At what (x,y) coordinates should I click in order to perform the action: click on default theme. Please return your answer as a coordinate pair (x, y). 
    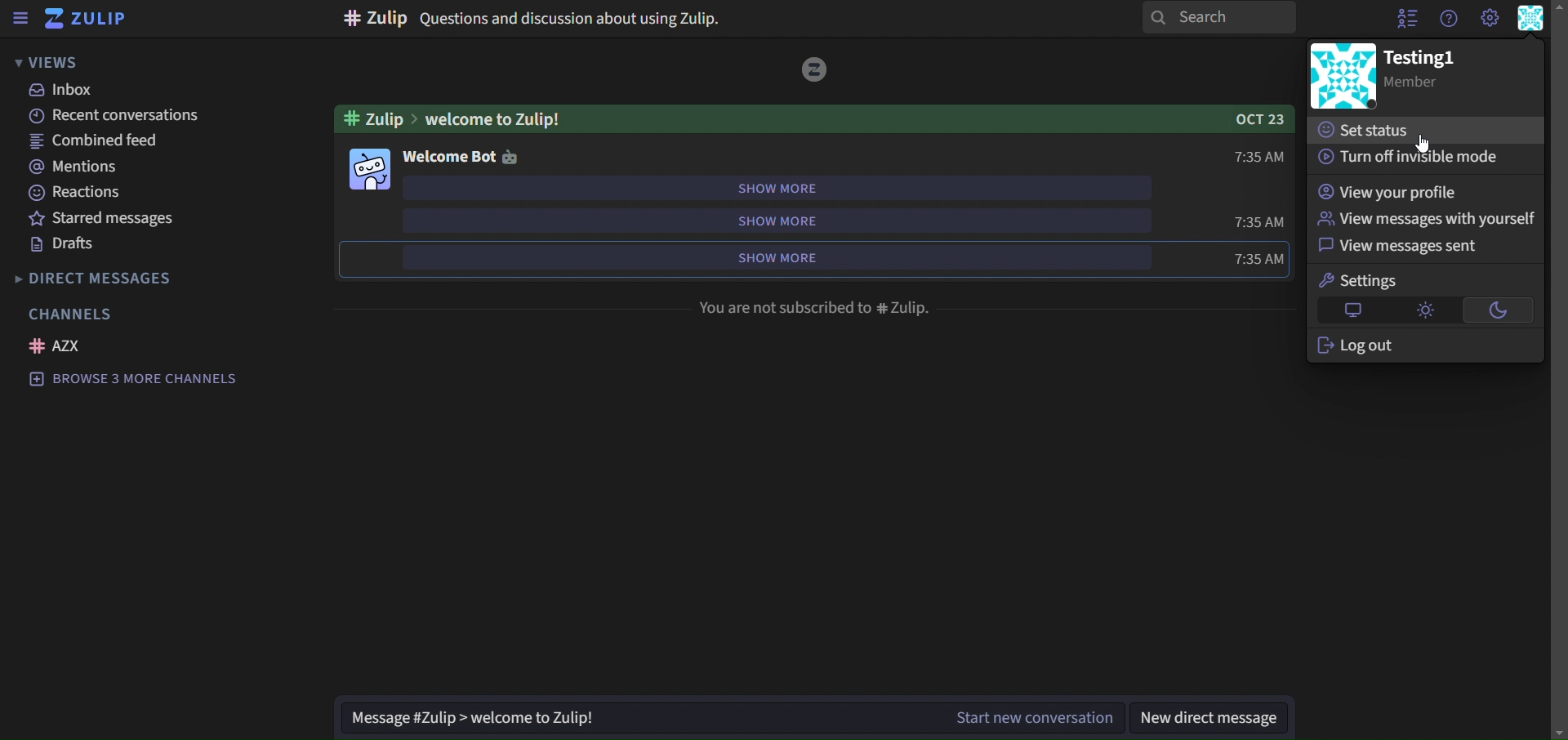
    Looking at the image, I should click on (1354, 310).